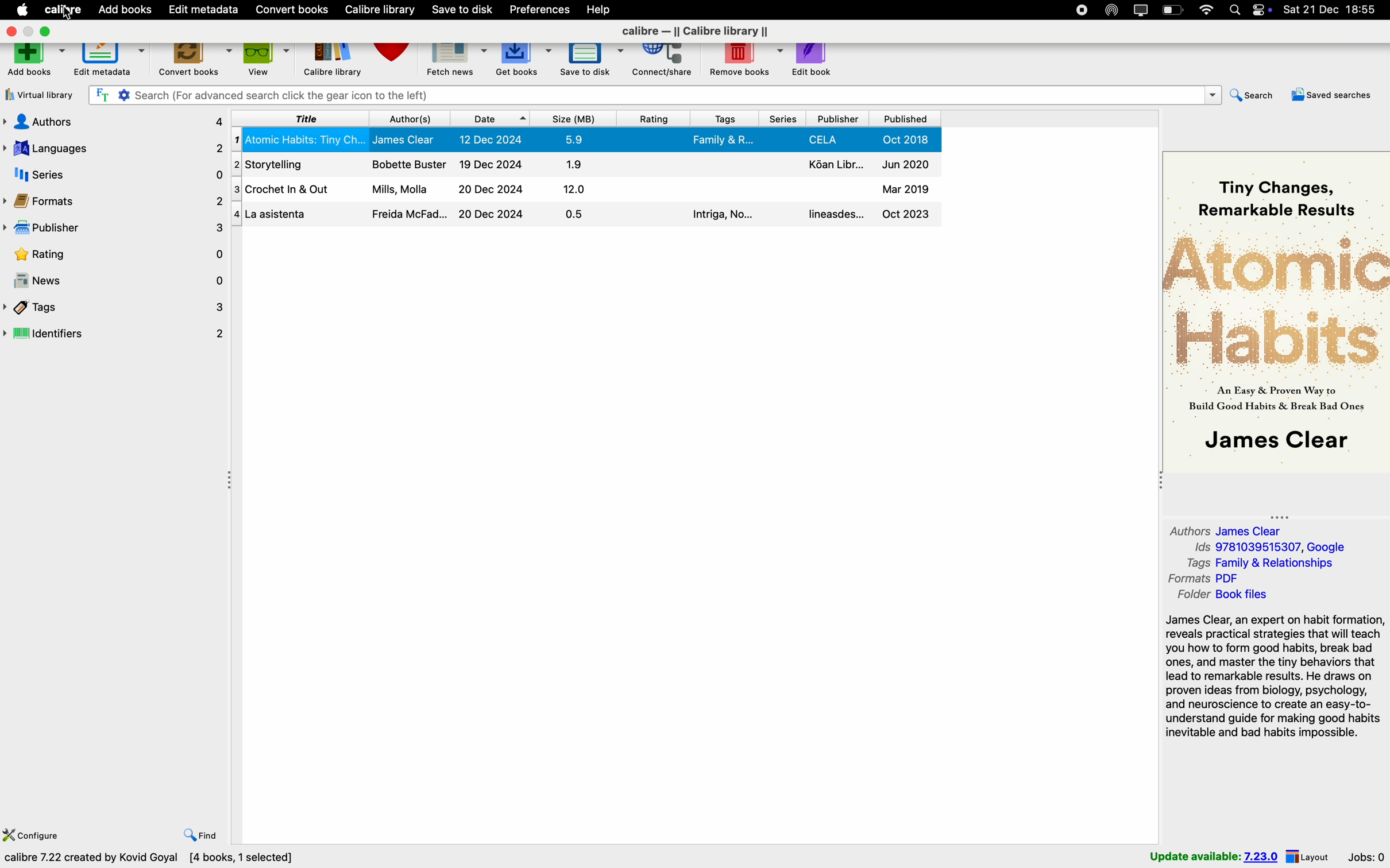 This screenshot has height=868, width=1390. I want to click on preferences, so click(541, 9).